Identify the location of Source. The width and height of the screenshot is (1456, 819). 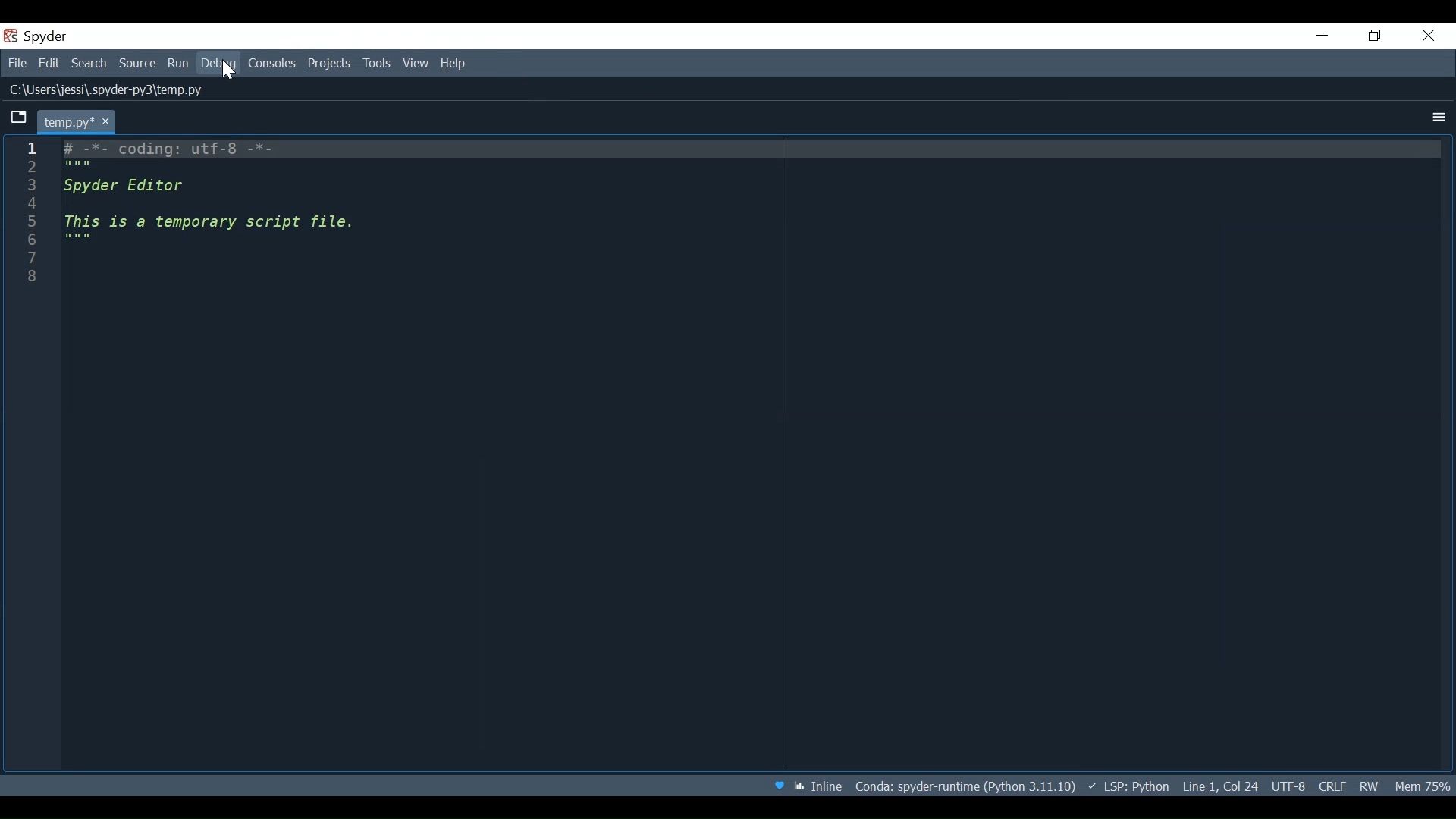
(137, 64).